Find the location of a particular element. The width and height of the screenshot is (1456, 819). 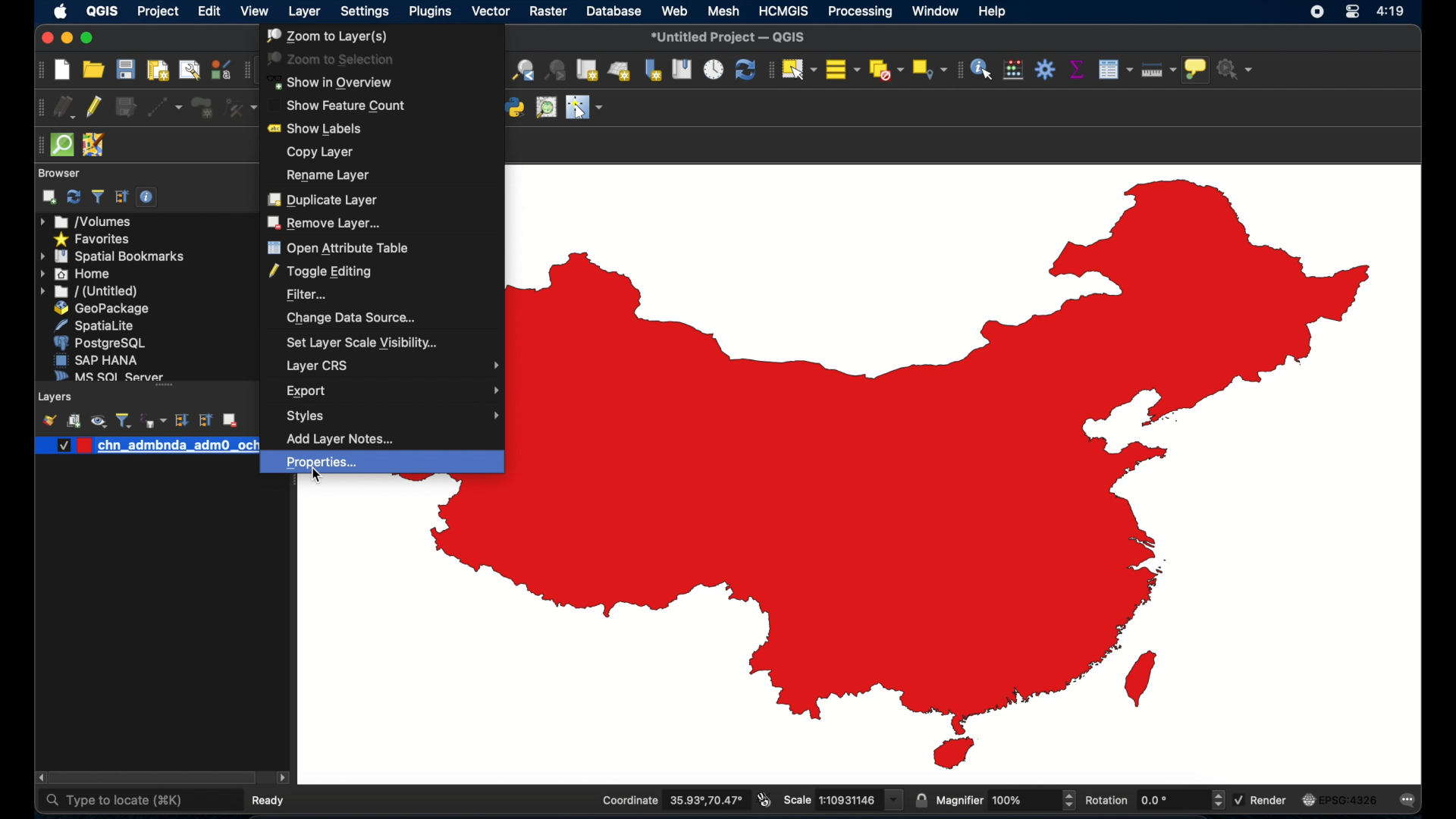

Coordinate 35.93°,70.47° is located at coordinates (673, 800).